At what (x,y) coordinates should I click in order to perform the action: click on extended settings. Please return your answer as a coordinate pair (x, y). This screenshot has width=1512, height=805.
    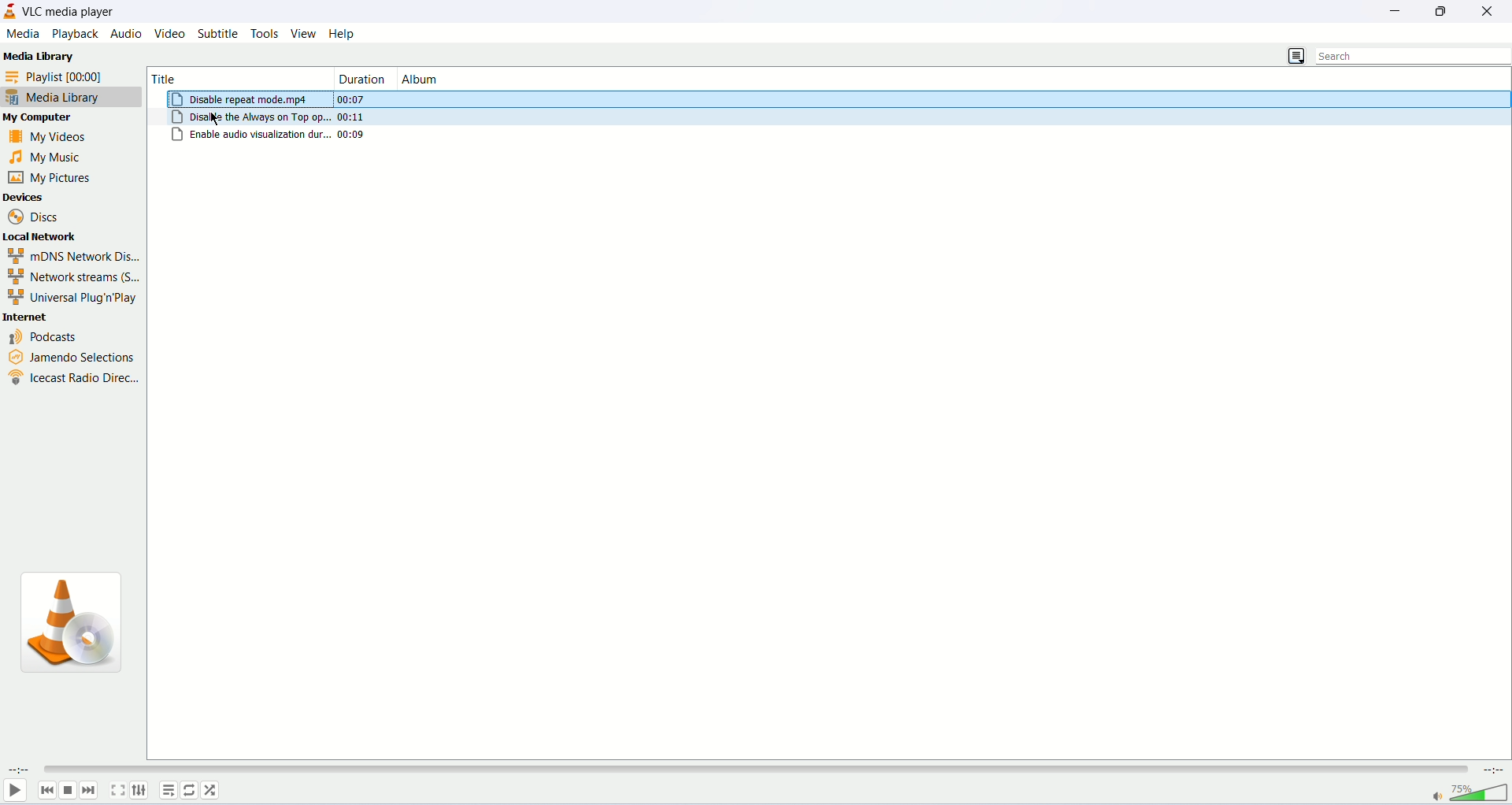
    Looking at the image, I should click on (139, 790).